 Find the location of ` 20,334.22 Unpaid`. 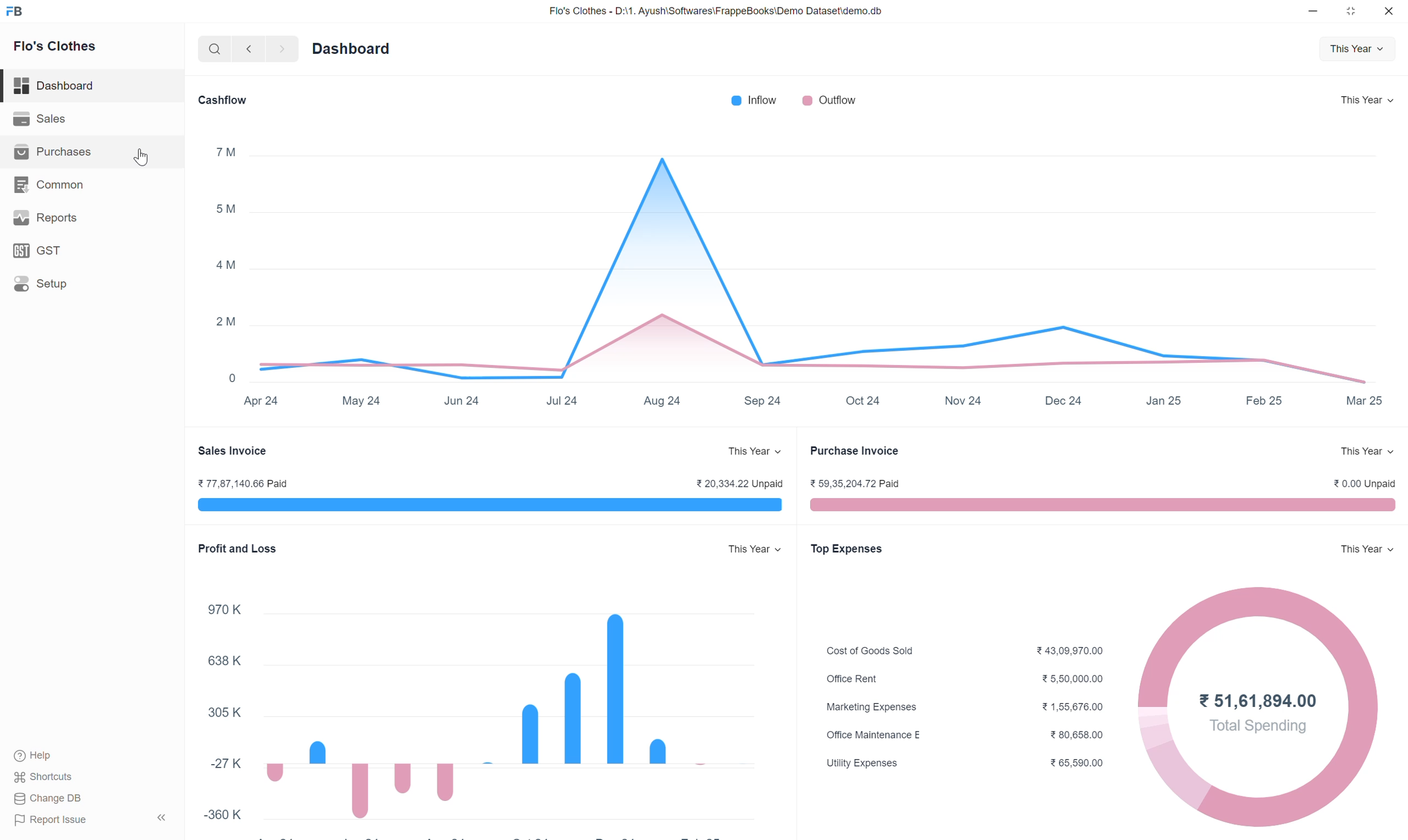

 20,334.22 Unpaid is located at coordinates (741, 483).